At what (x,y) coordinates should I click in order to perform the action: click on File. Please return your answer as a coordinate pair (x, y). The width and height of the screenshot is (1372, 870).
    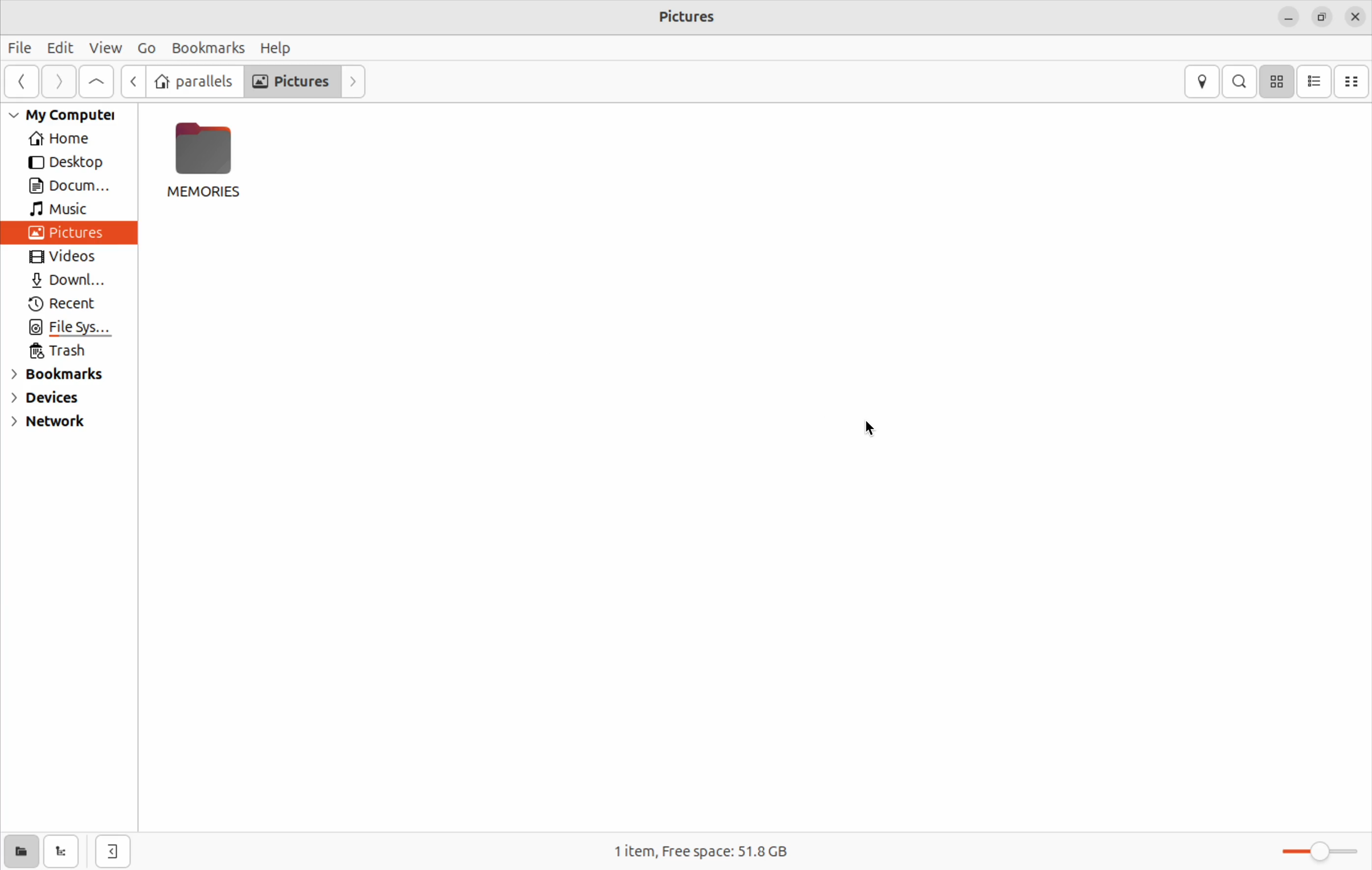
    Looking at the image, I should click on (22, 47).